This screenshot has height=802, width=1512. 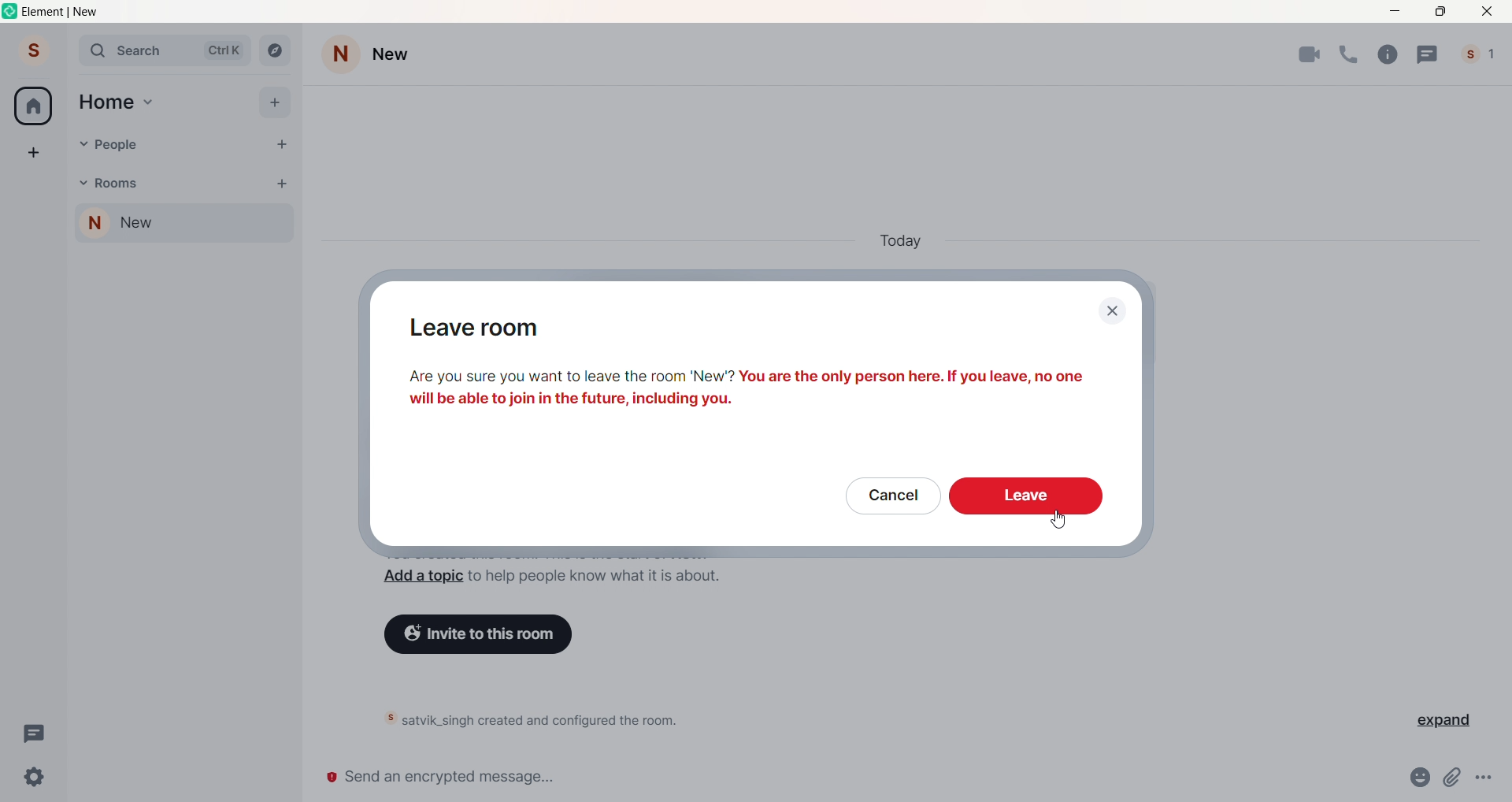 What do you see at coordinates (32, 150) in the screenshot?
I see `Create a Space` at bounding box center [32, 150].